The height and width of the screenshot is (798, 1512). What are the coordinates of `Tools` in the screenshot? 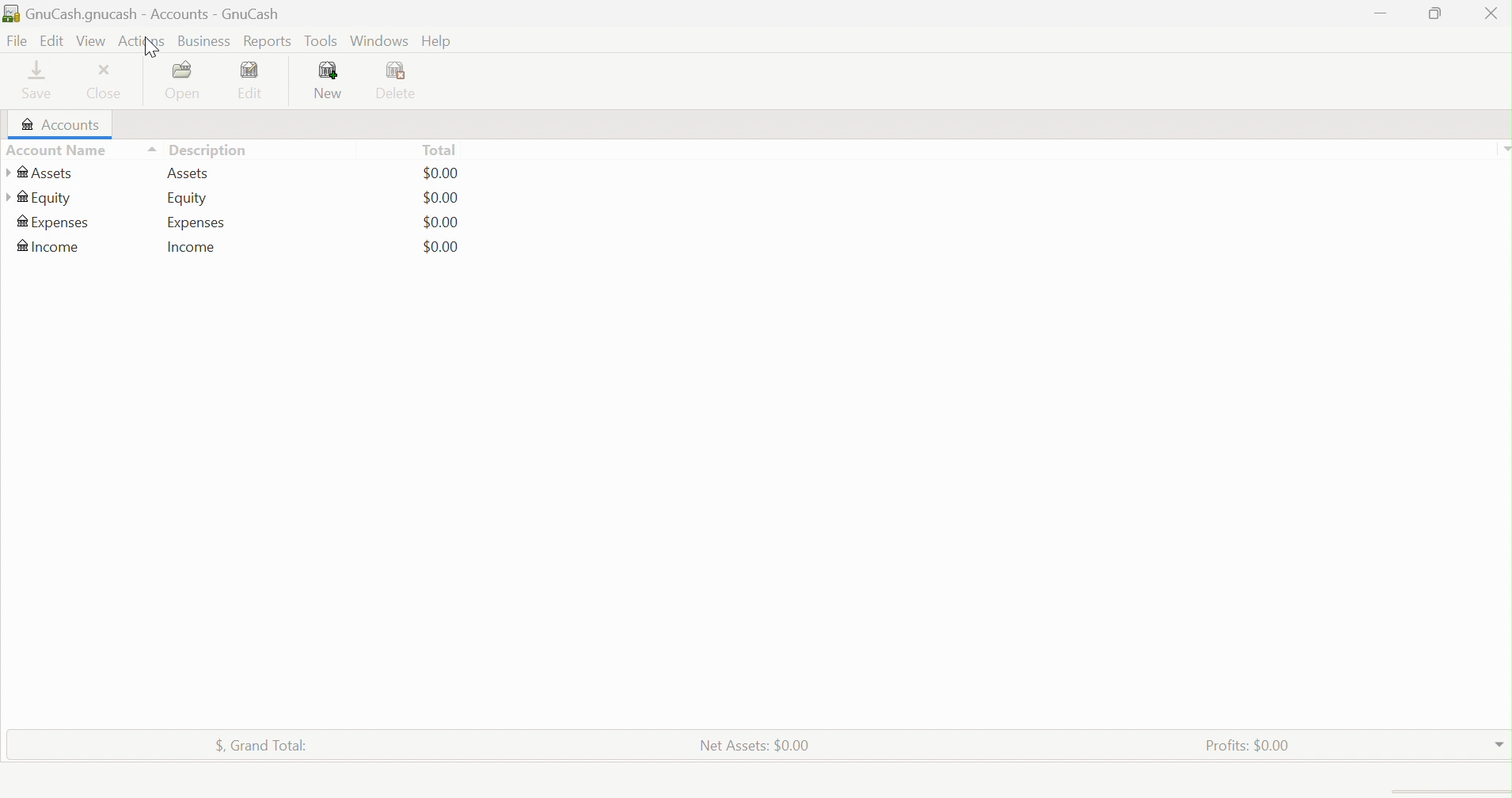 It's located at (322, 41).